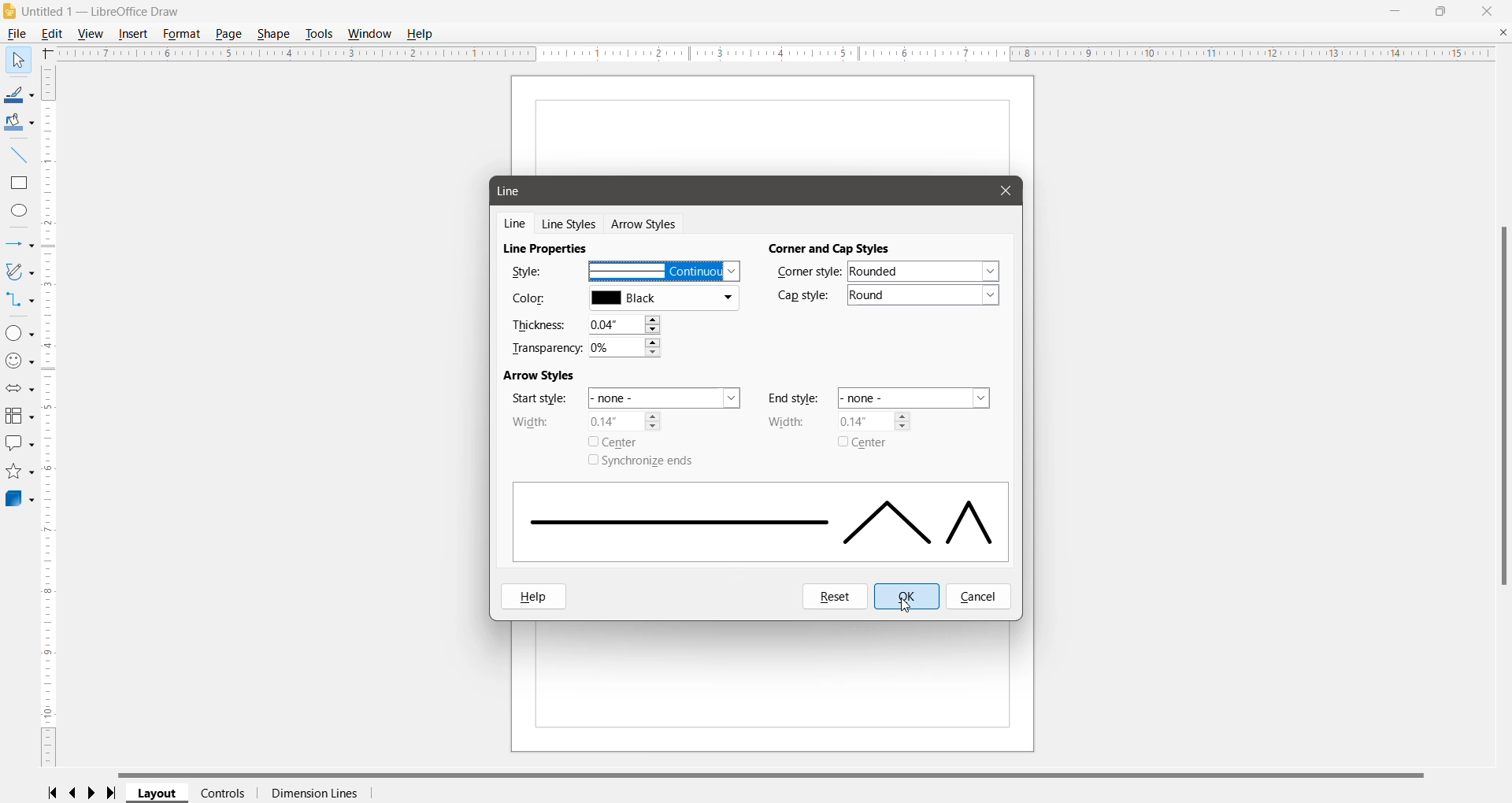  Describe the element at coordinates (20, 155) in the screenshot. I see `Insert Line` at that location.